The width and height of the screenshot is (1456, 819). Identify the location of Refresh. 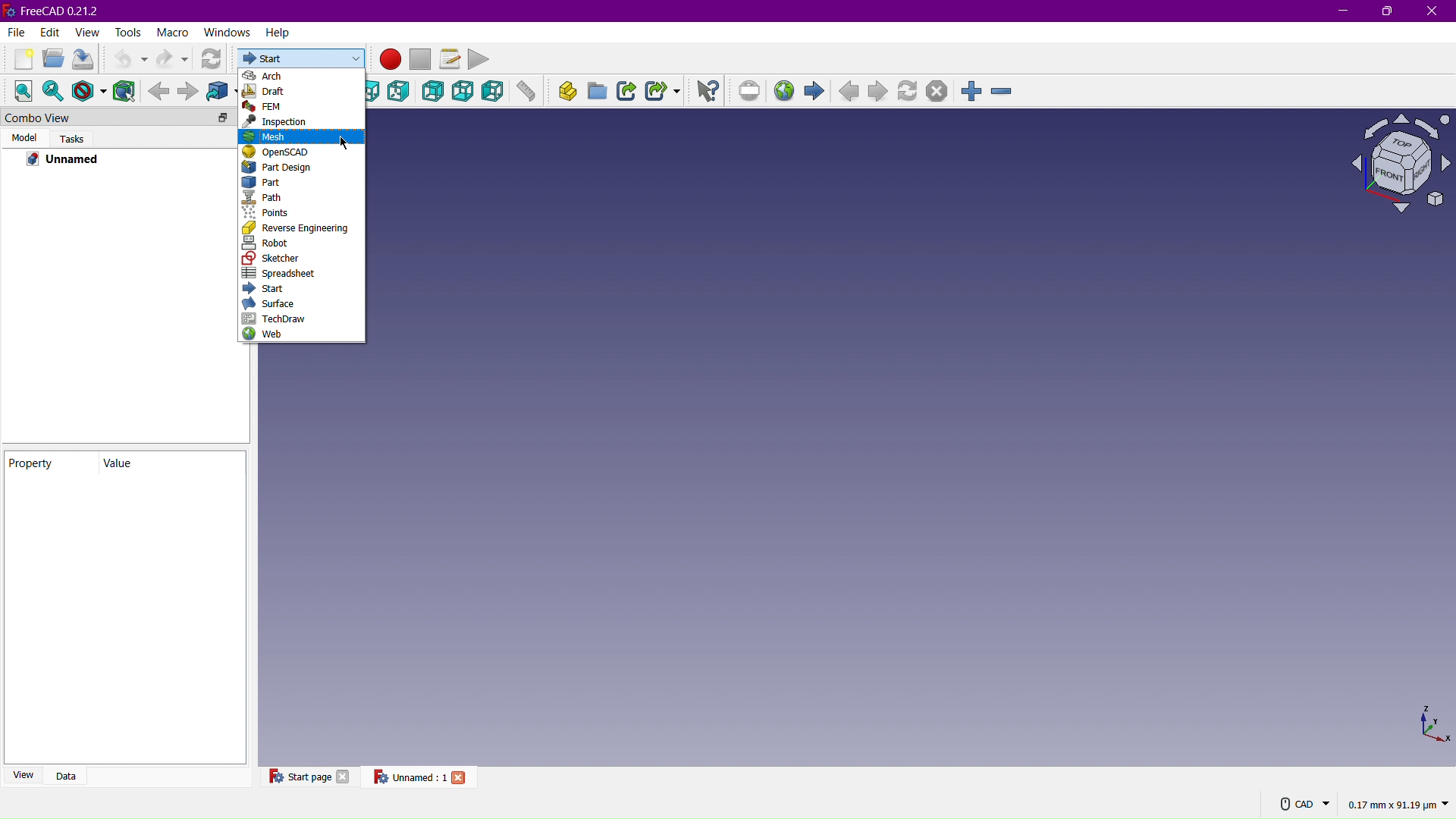
(214, 59).